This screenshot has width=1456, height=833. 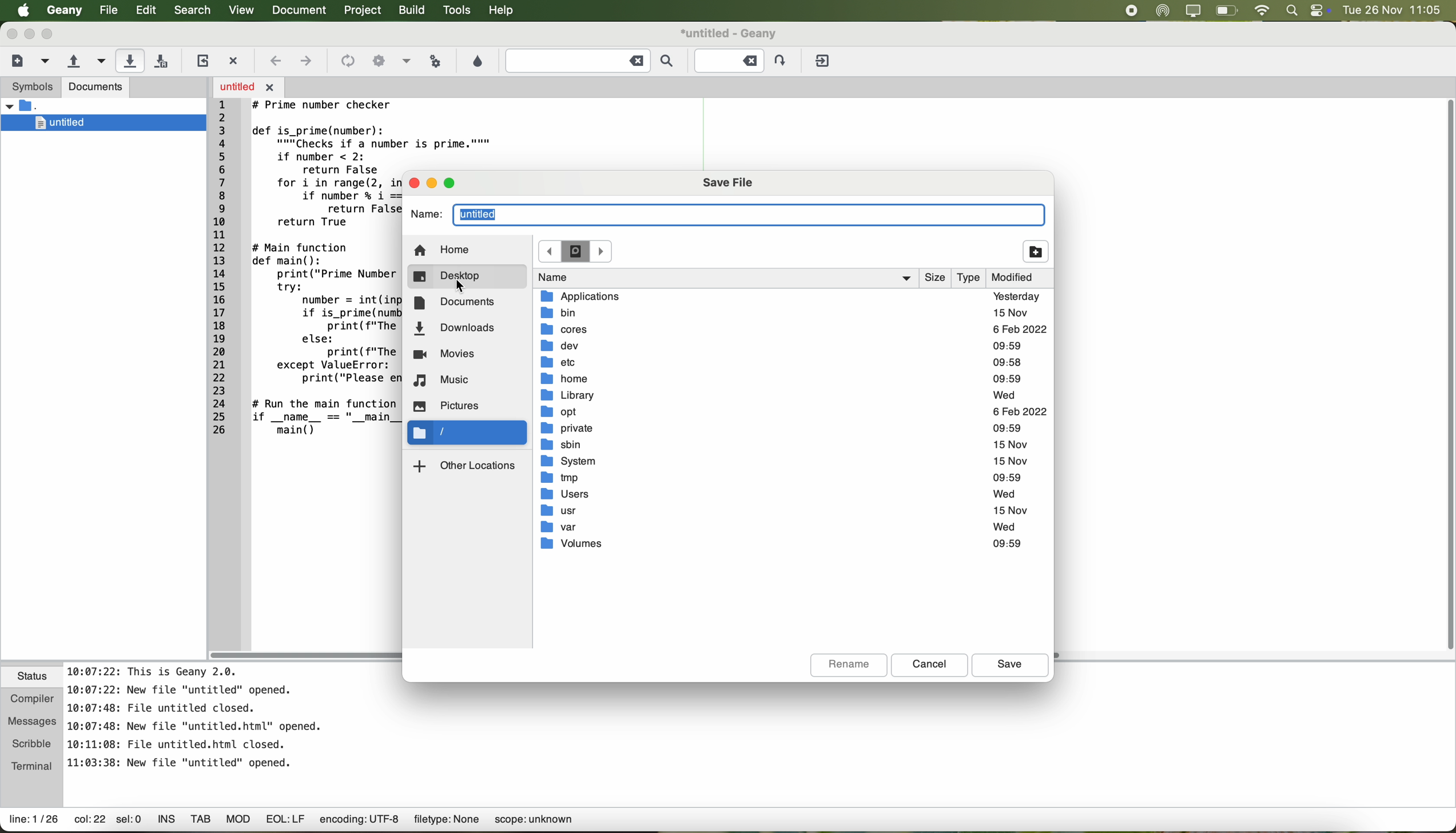 I want to click on navigate back, so click(x=550, y=251).